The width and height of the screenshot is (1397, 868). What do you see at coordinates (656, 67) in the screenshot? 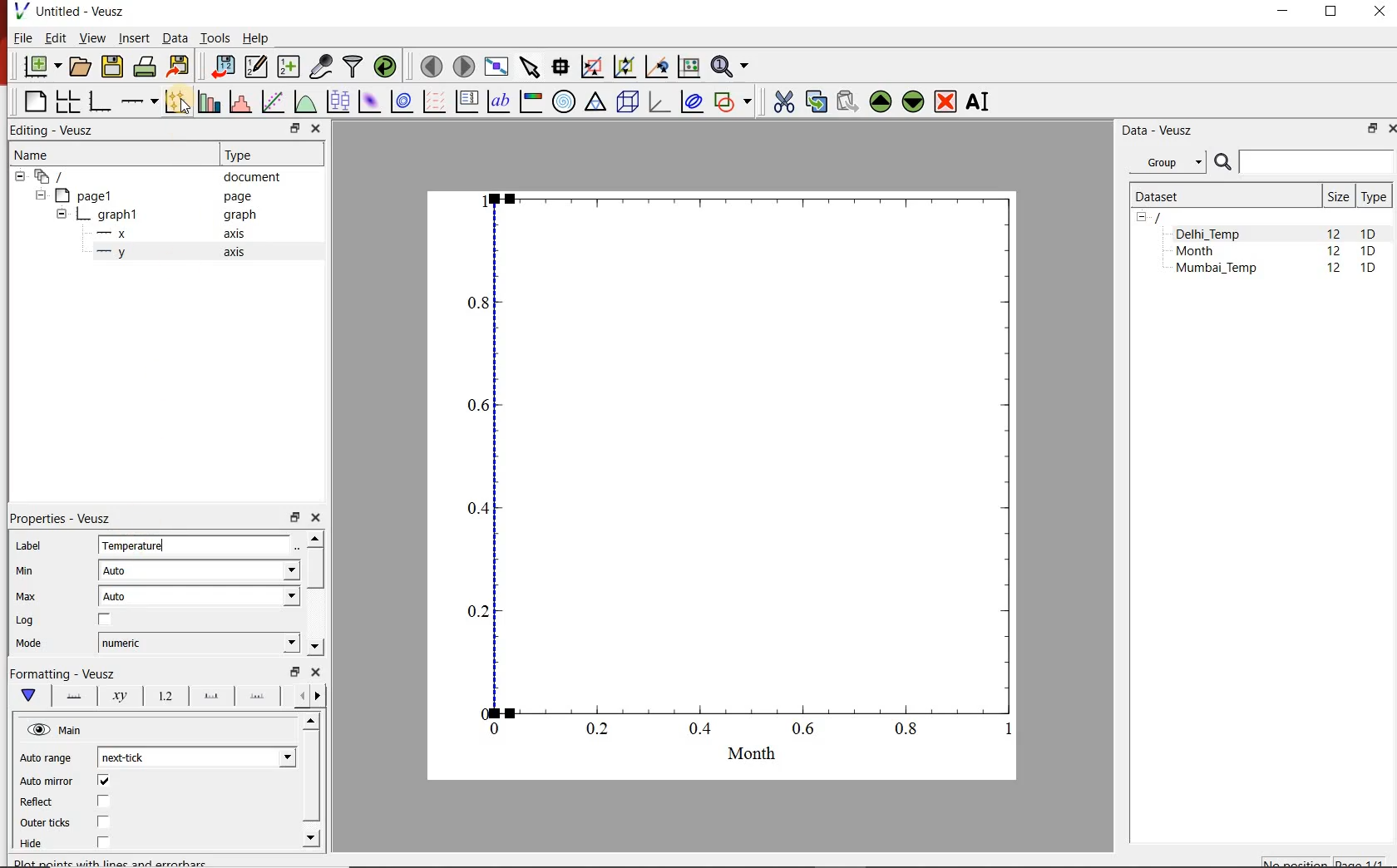
I see `click to recenter graph axes` at bounding box center [656, 67].